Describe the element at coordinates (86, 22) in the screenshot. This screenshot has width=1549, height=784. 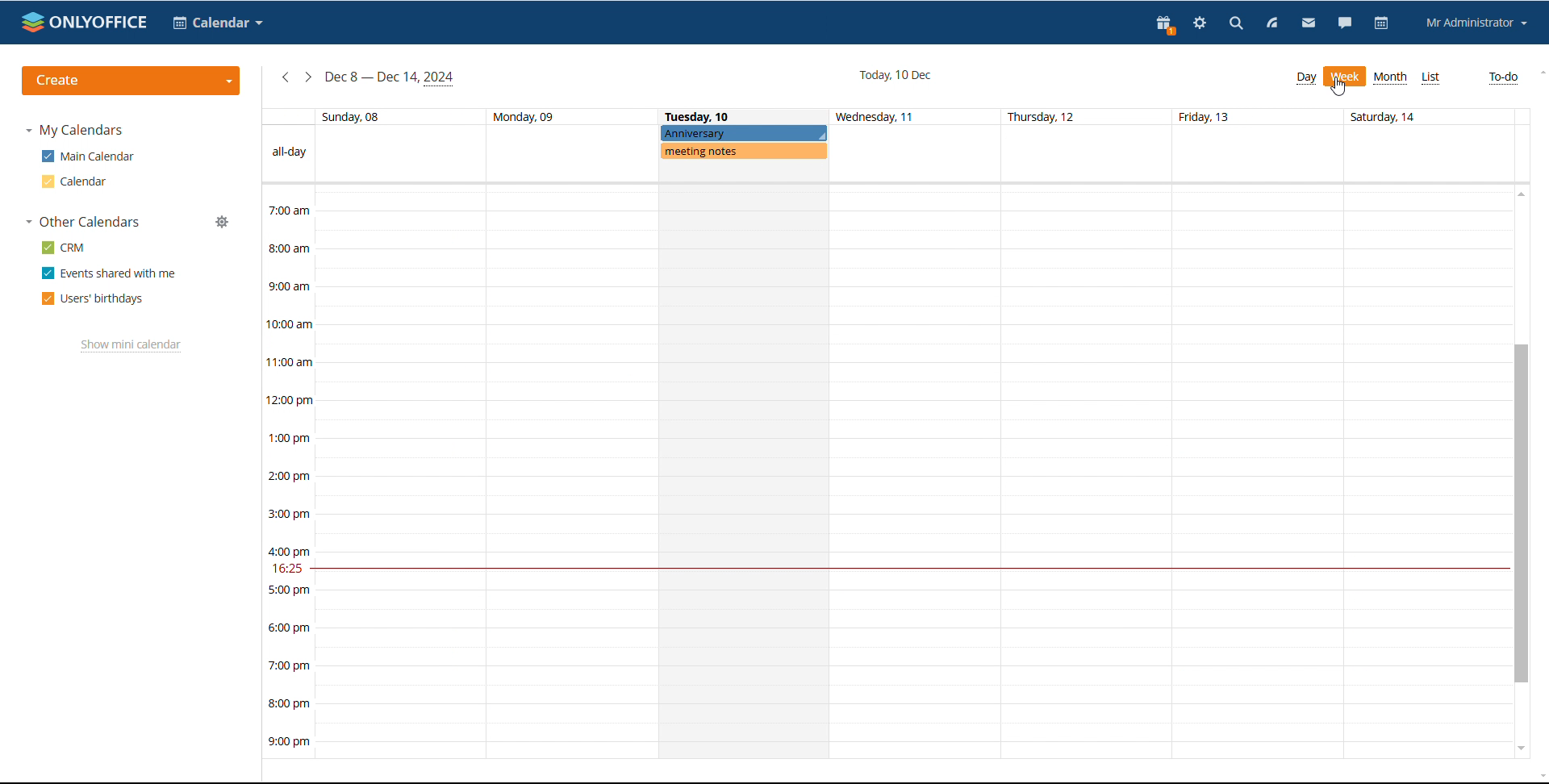
I see `onlyoffice` at that location.